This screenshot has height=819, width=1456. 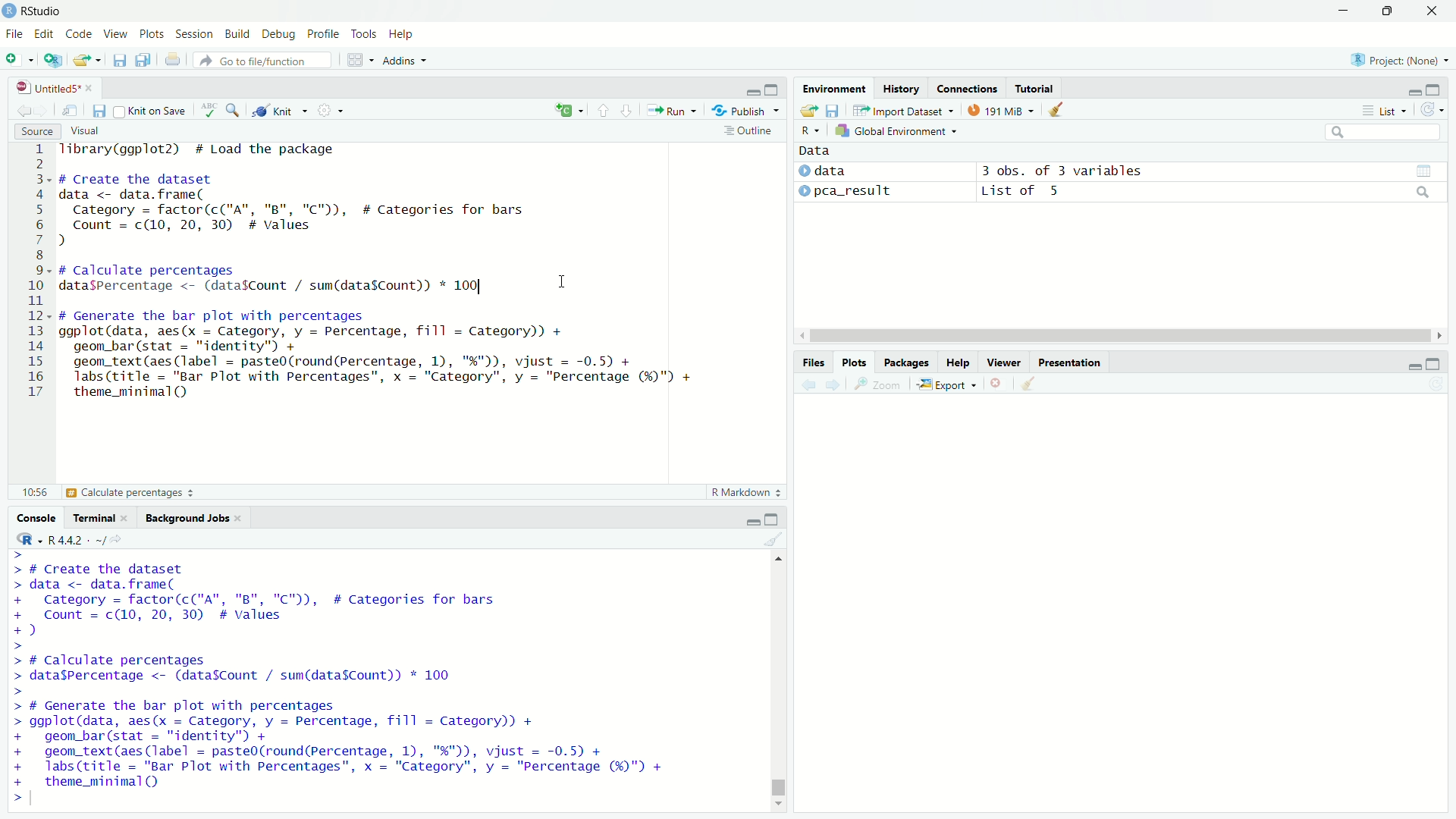 I want to click on export, so click(x=947, y=383).